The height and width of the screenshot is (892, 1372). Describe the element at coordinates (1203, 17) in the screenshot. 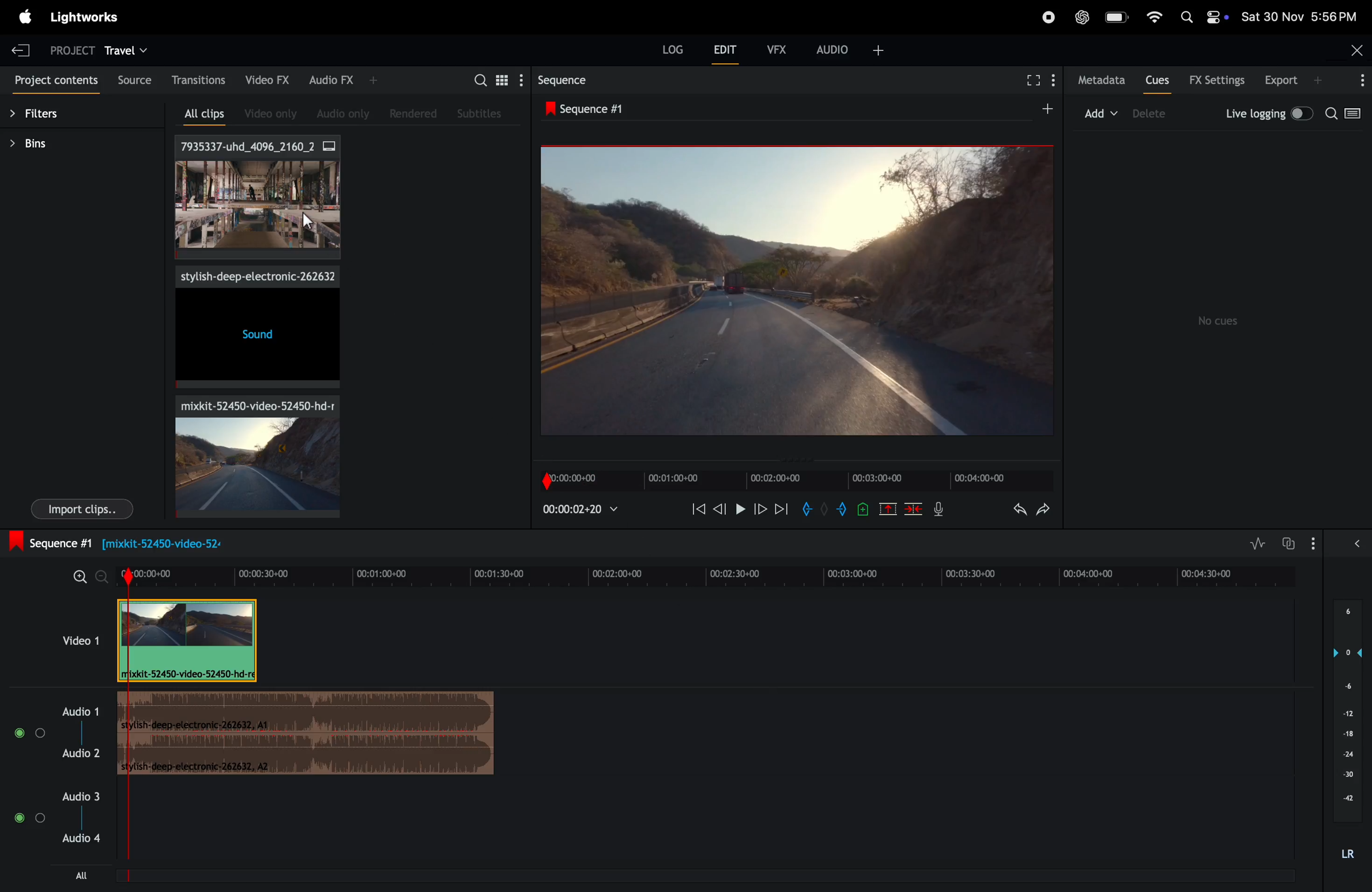

I see `apple widgets` at that location.